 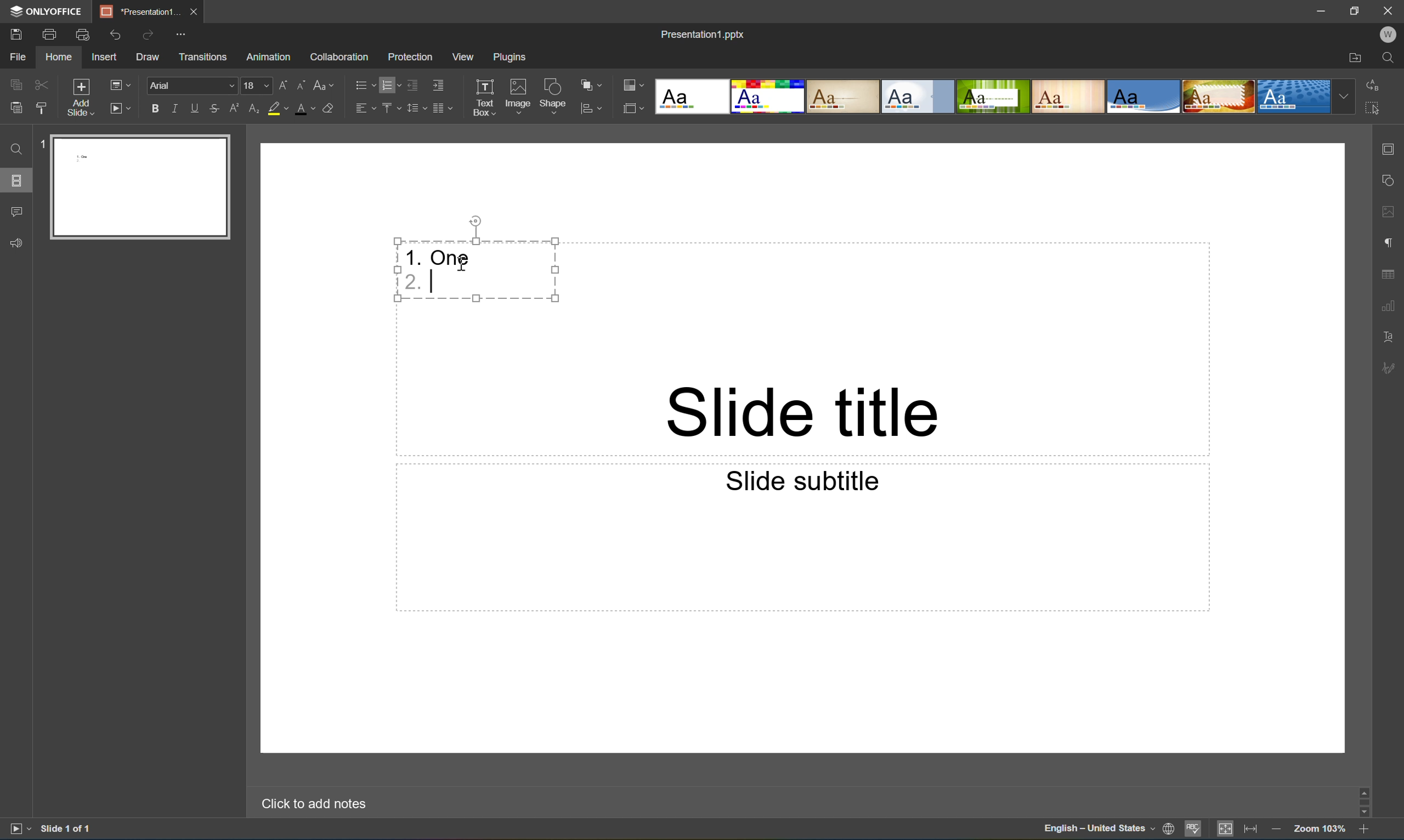 What do you see at coordinates (593, 110) in the screenshot?
I see `Align shape` at bounding box center [593, 110].